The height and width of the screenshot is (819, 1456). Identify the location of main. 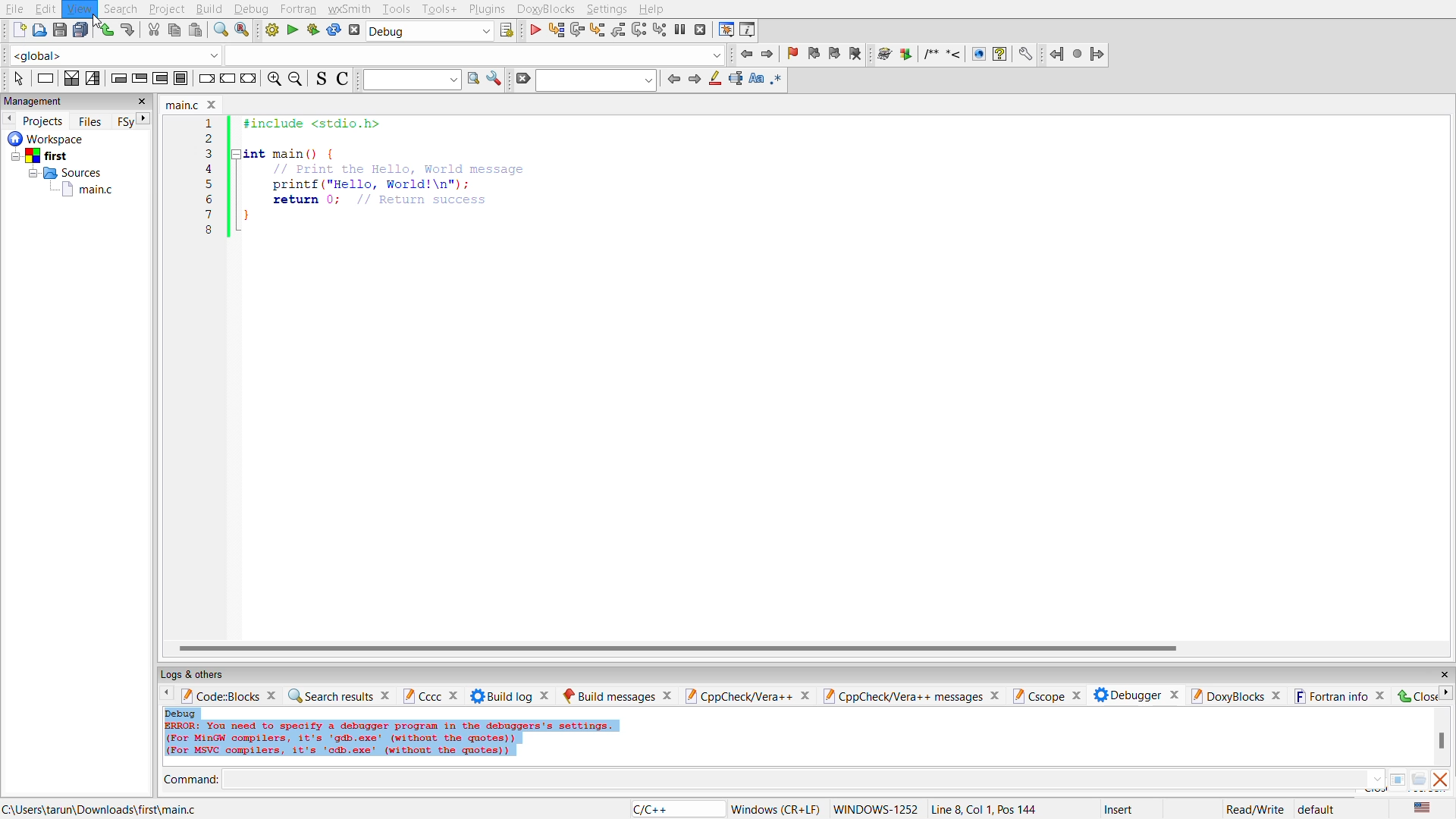
(90, 195).